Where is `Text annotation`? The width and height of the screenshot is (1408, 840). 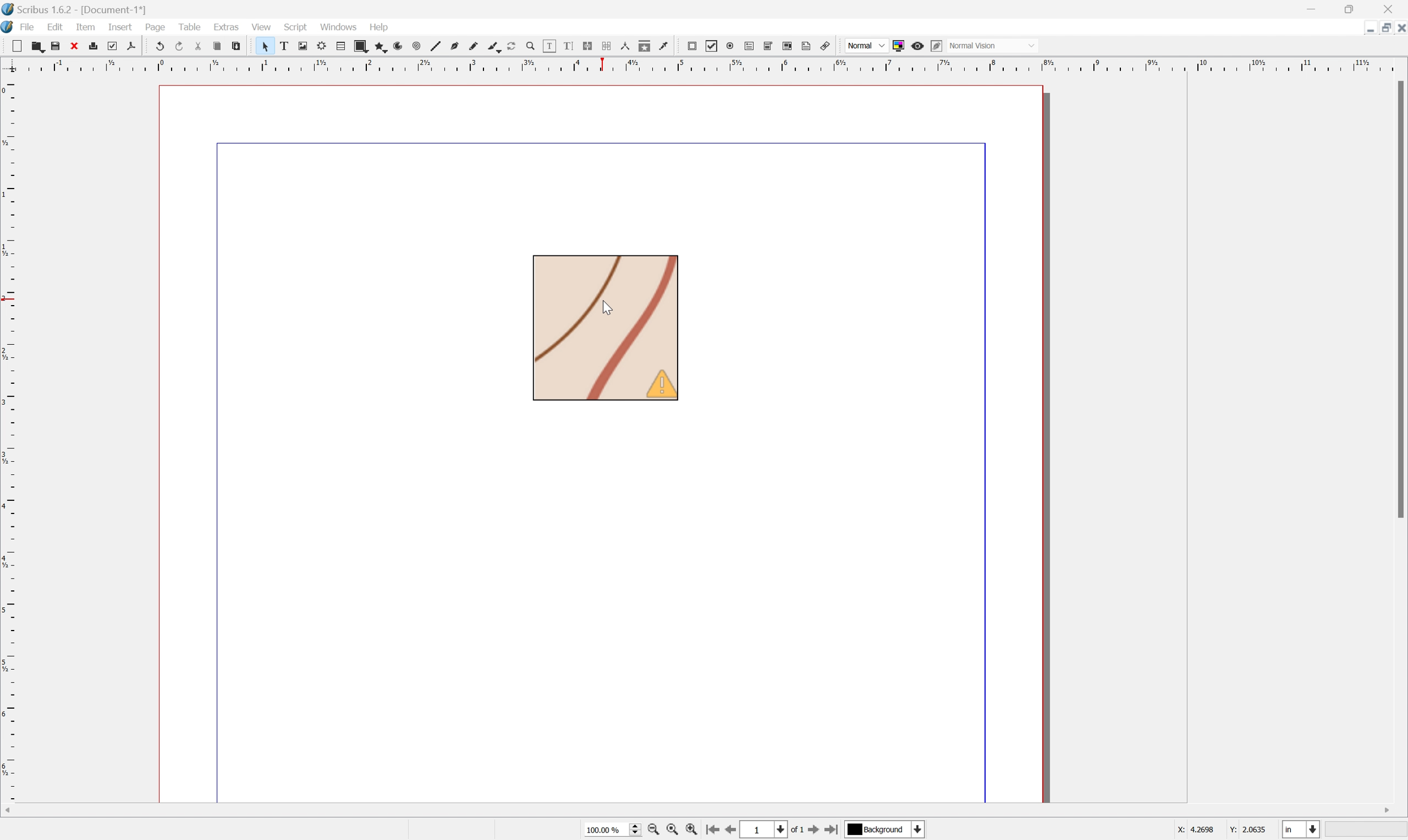 Text annotation is located at coordinates (807, 46).